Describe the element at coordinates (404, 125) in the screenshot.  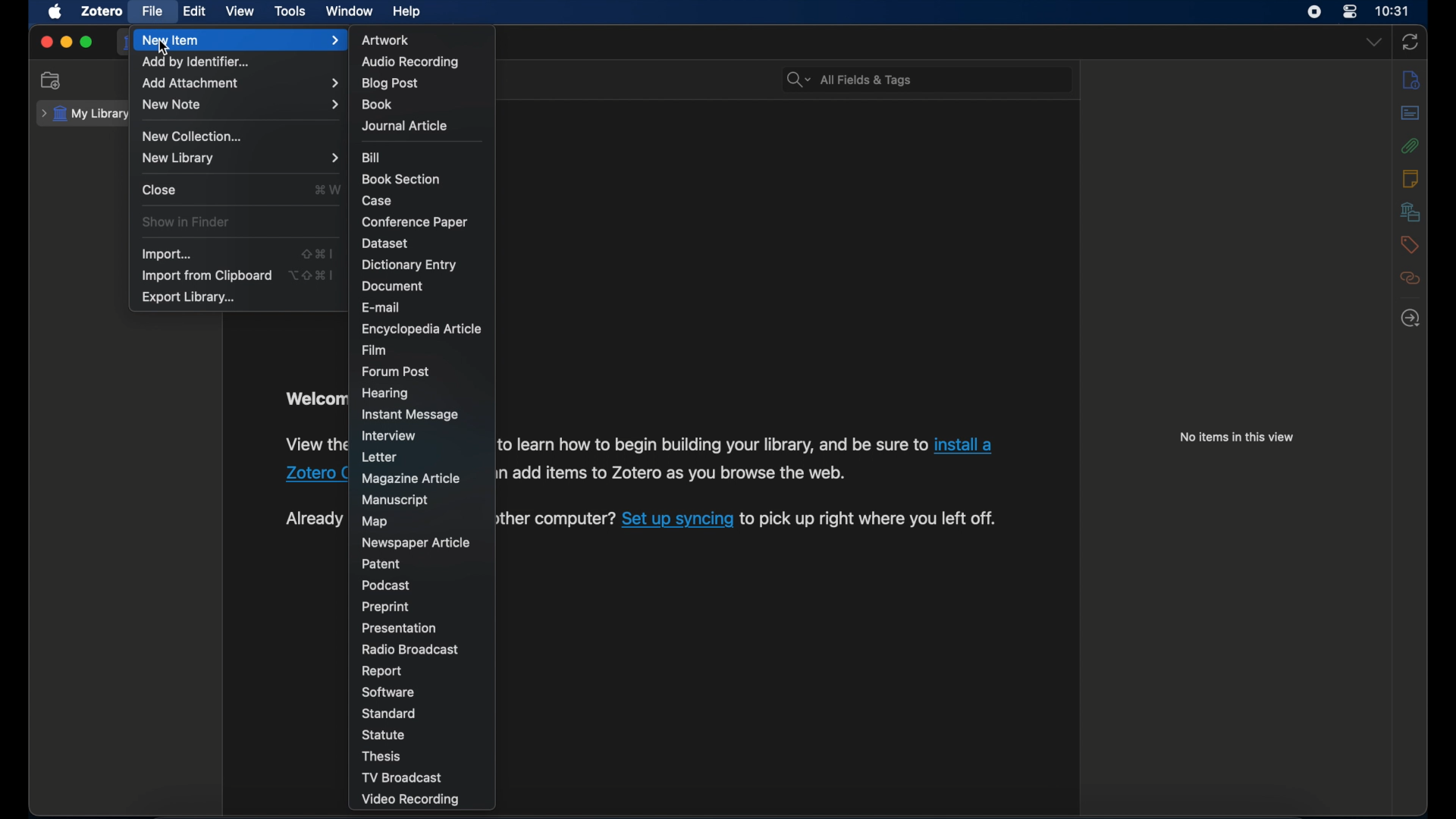
I see `journal article` at that location.